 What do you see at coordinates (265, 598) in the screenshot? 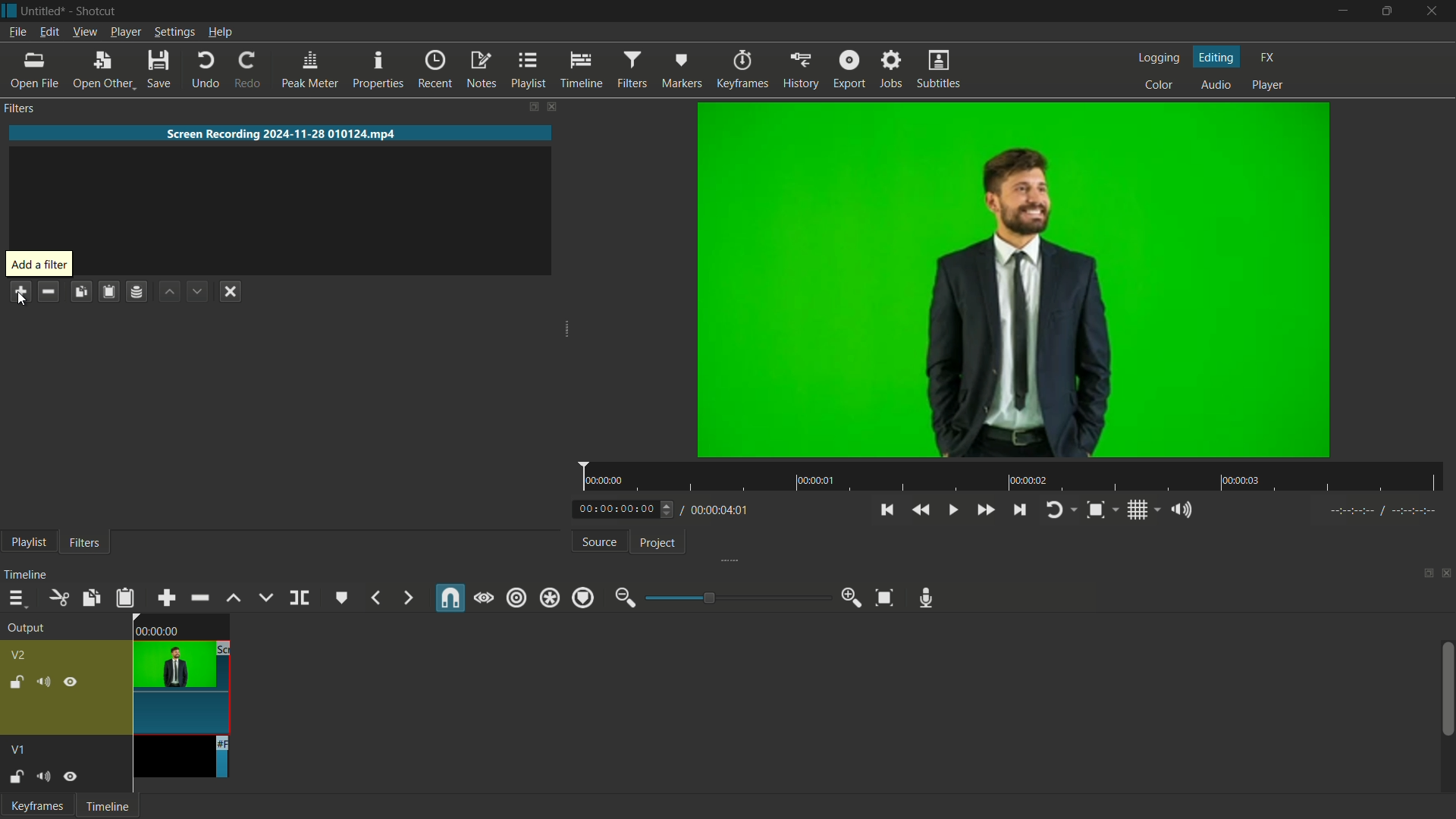
I see `overwrite` at bounding box center [265, 598].